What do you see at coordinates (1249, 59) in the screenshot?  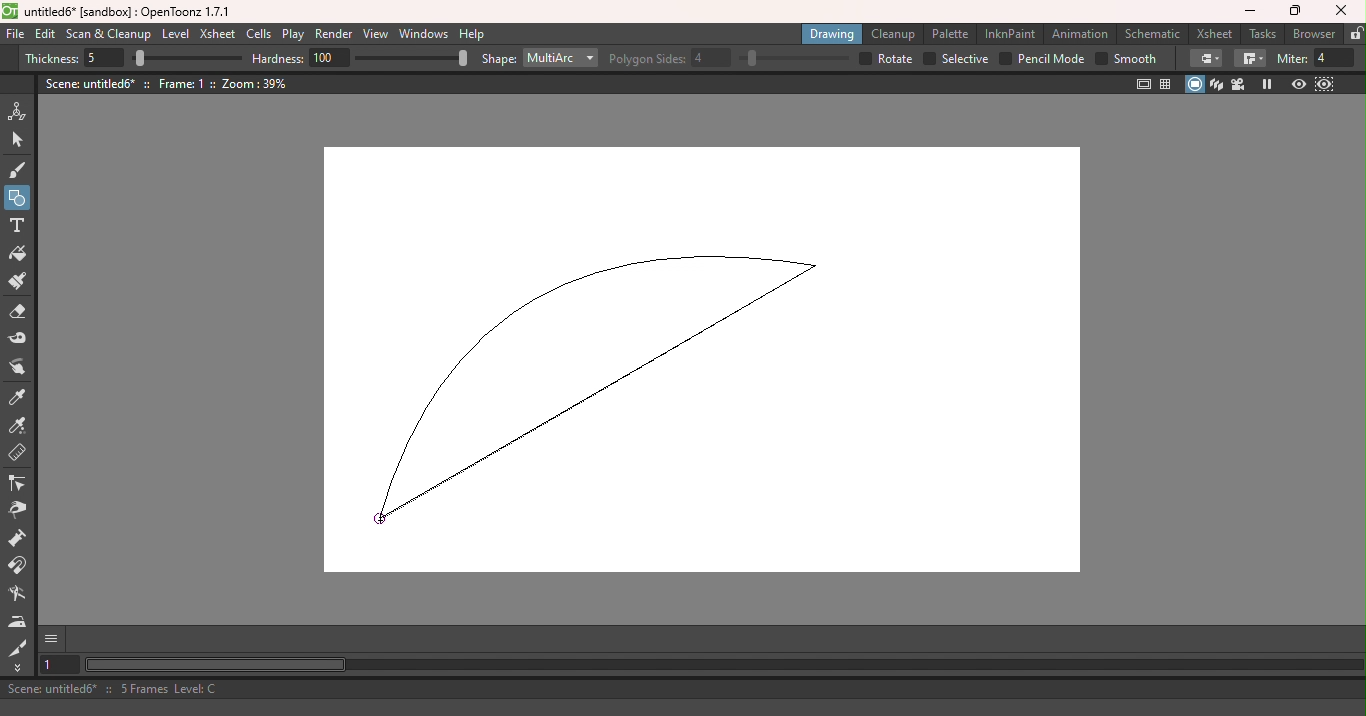 I see `Join` at bounding box center [1249, 59].